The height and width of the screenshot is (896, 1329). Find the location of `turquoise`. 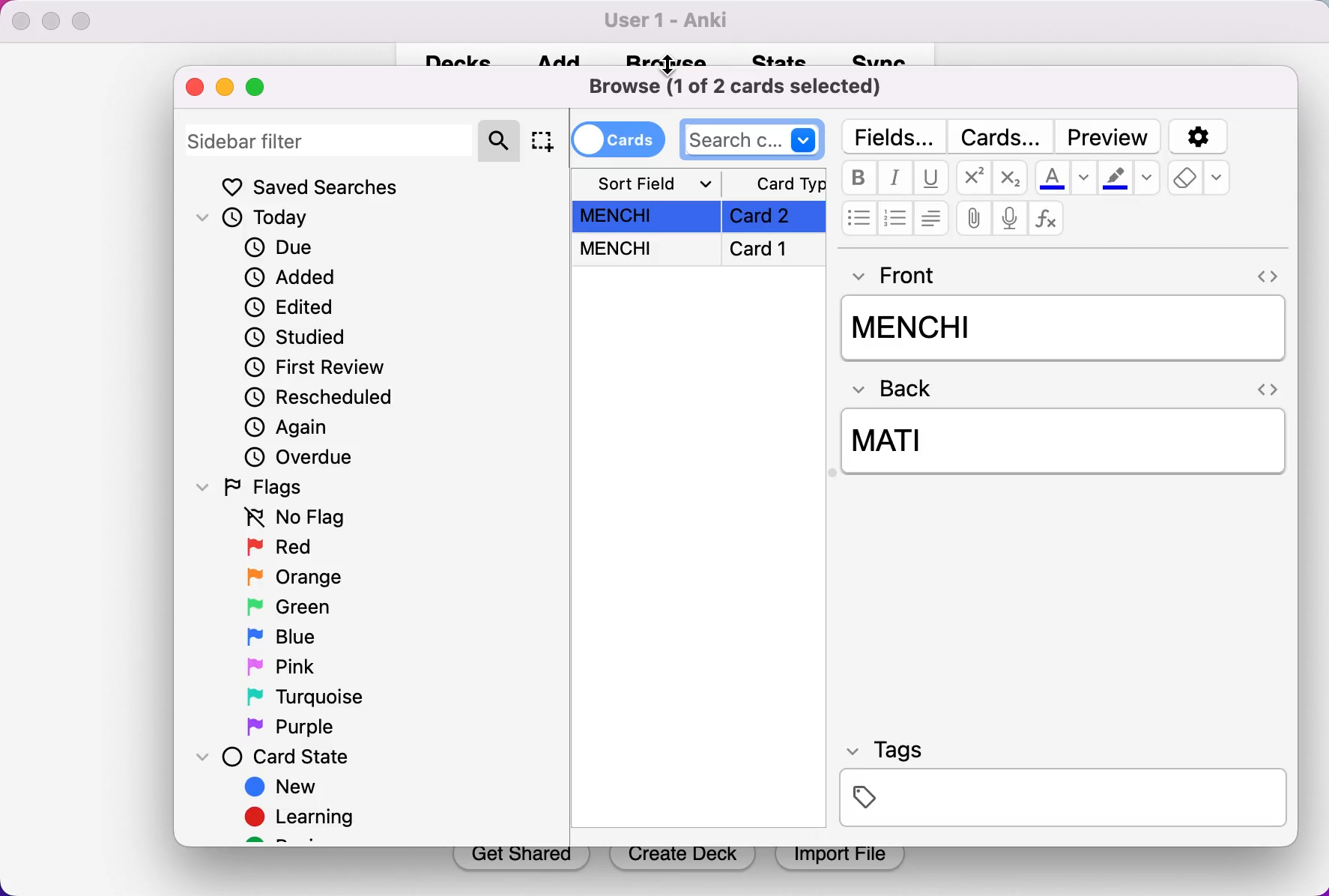

turquoise is located at coordinates (303, 699).